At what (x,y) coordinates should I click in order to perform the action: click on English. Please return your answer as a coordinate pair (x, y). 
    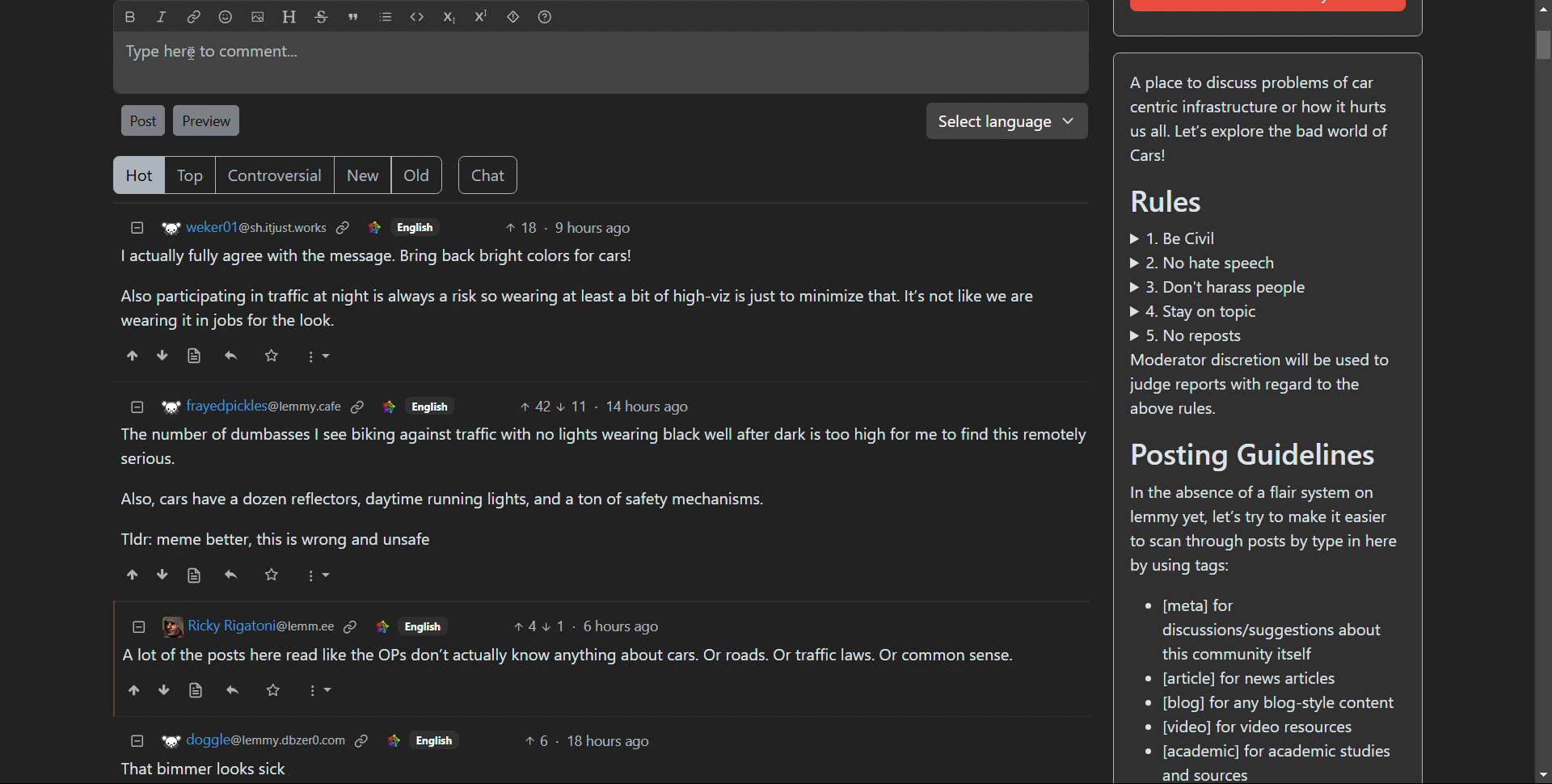
    Looking at the image, I should click on (415, 226).